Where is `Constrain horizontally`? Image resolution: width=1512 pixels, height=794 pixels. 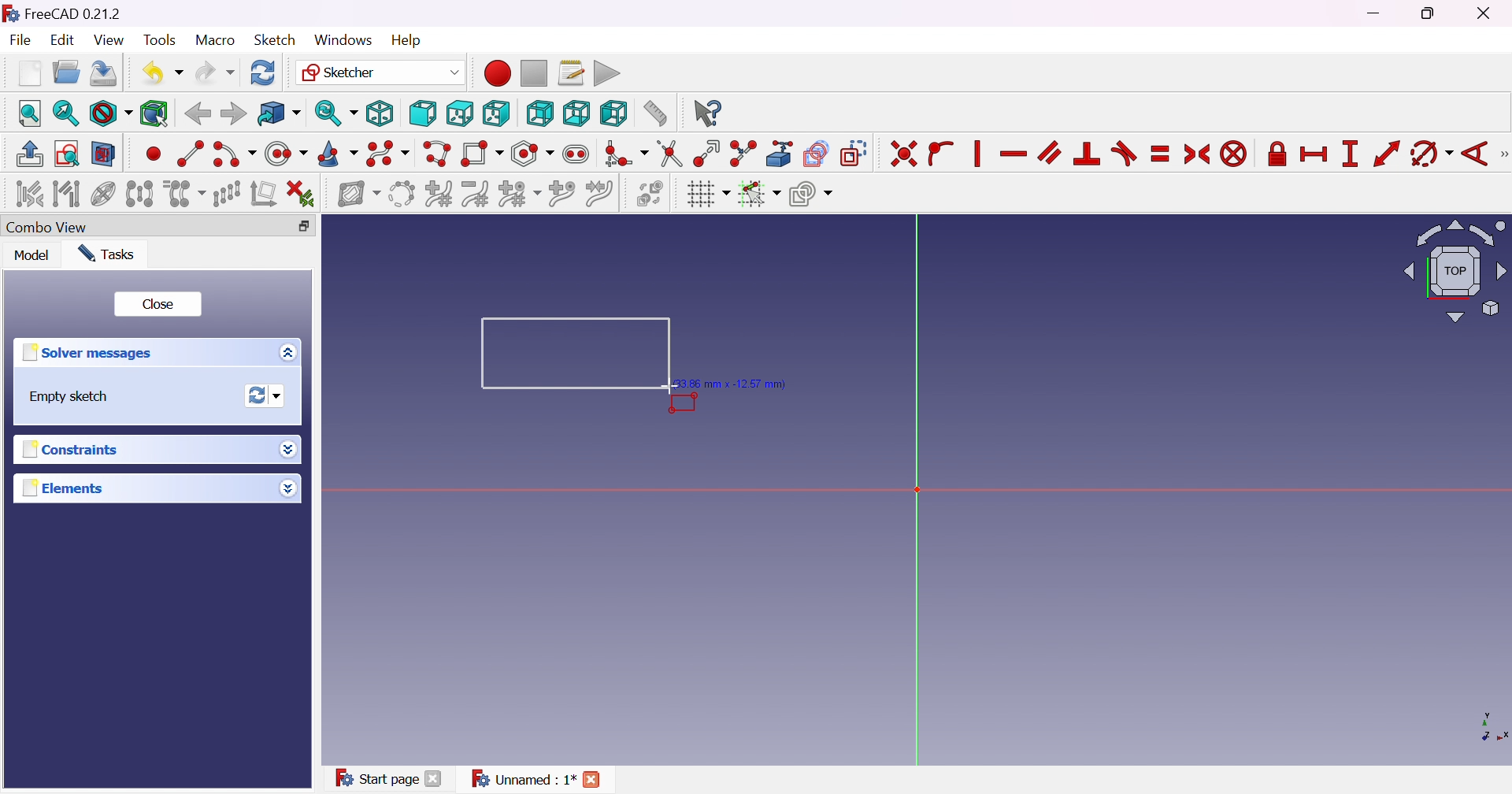
Constrain horizontally is located at coordinates (1014, 154).